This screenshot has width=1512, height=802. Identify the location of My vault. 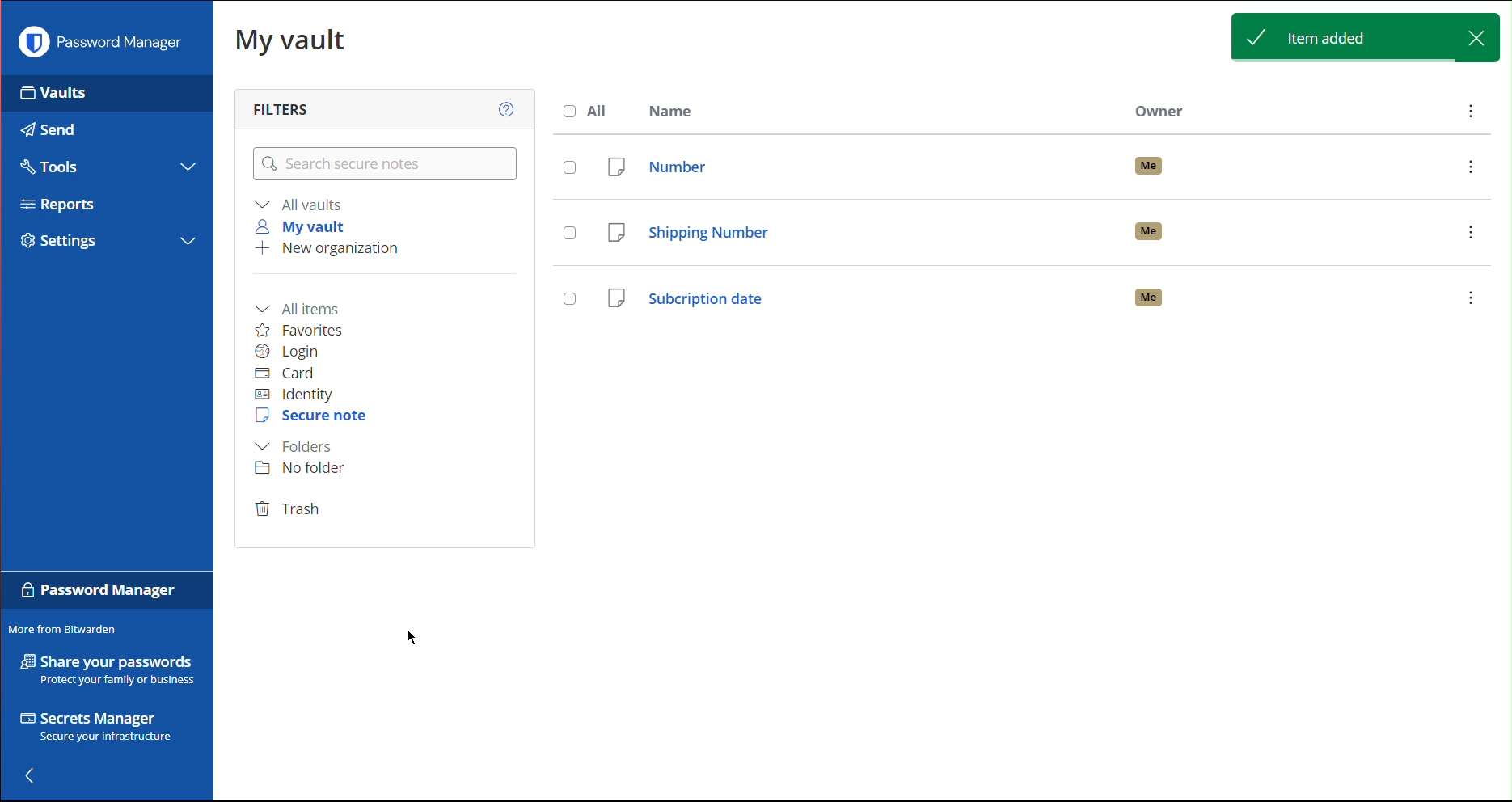
(291, 44).